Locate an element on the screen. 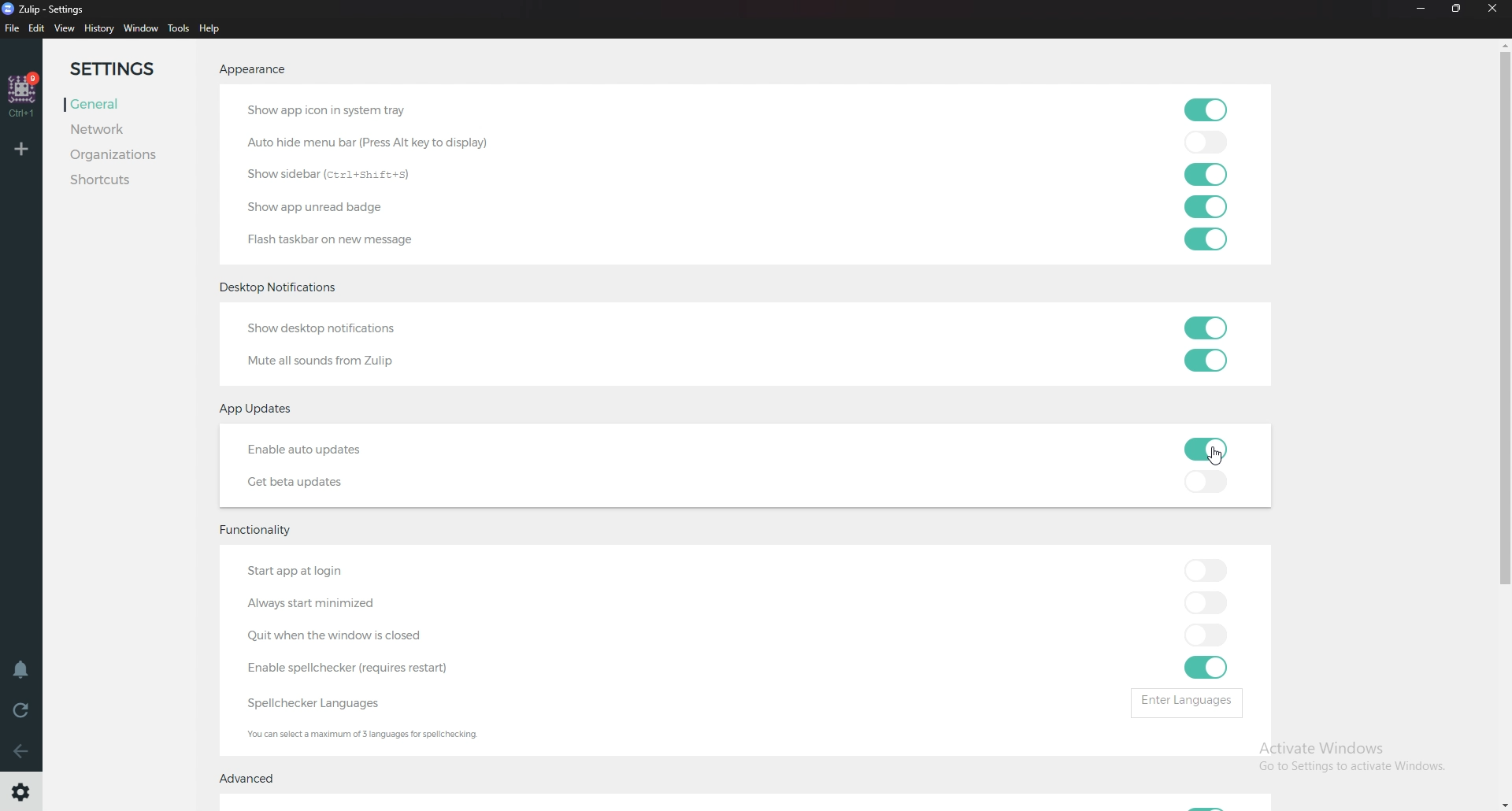 This screenshot has width=1512, height=811. Zulip is located at coordinates (54, 9).